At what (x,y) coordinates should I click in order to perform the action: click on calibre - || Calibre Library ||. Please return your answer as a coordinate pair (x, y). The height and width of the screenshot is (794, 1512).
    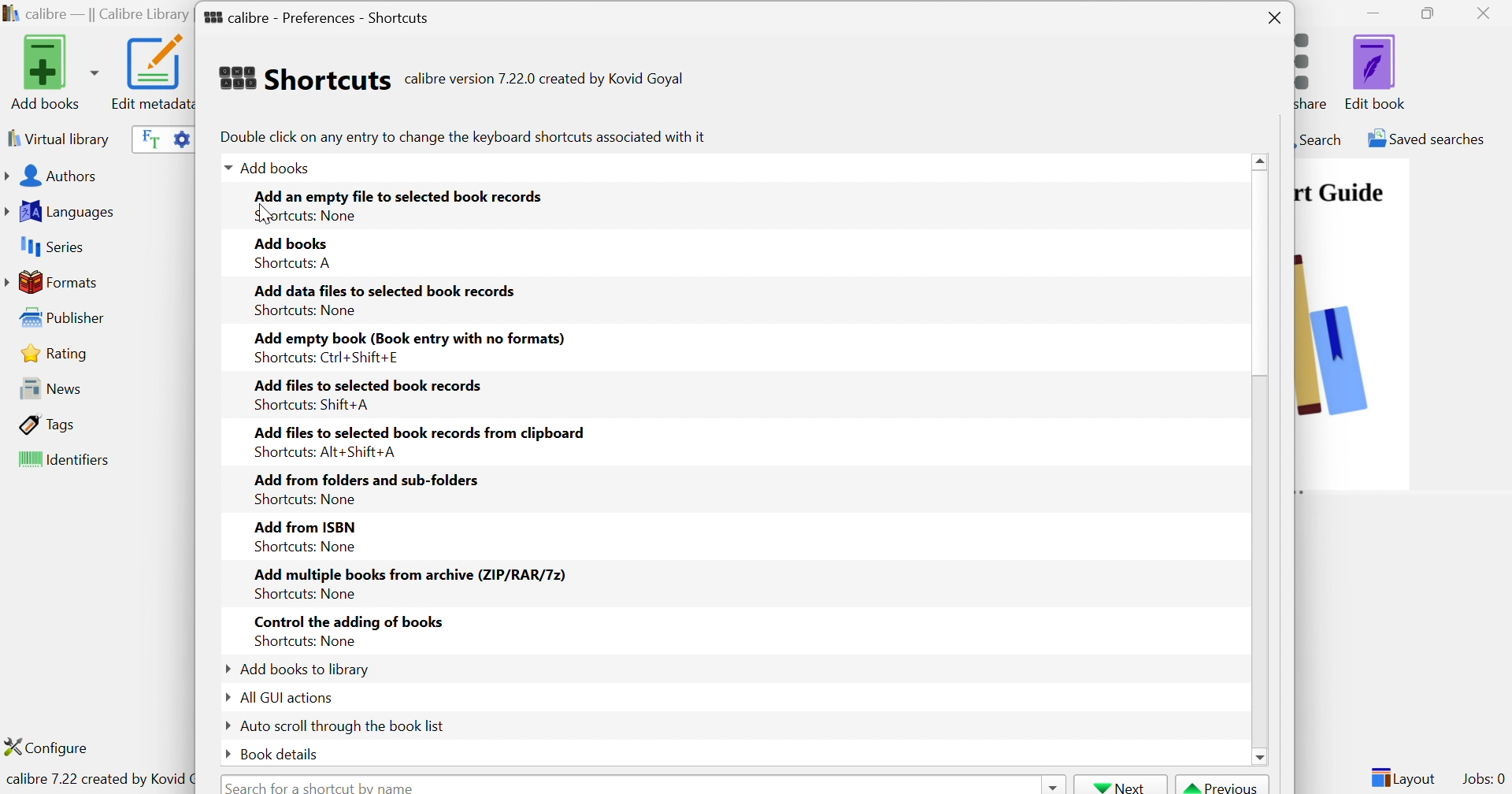
    Looking at the image, I should click on (95, 15).